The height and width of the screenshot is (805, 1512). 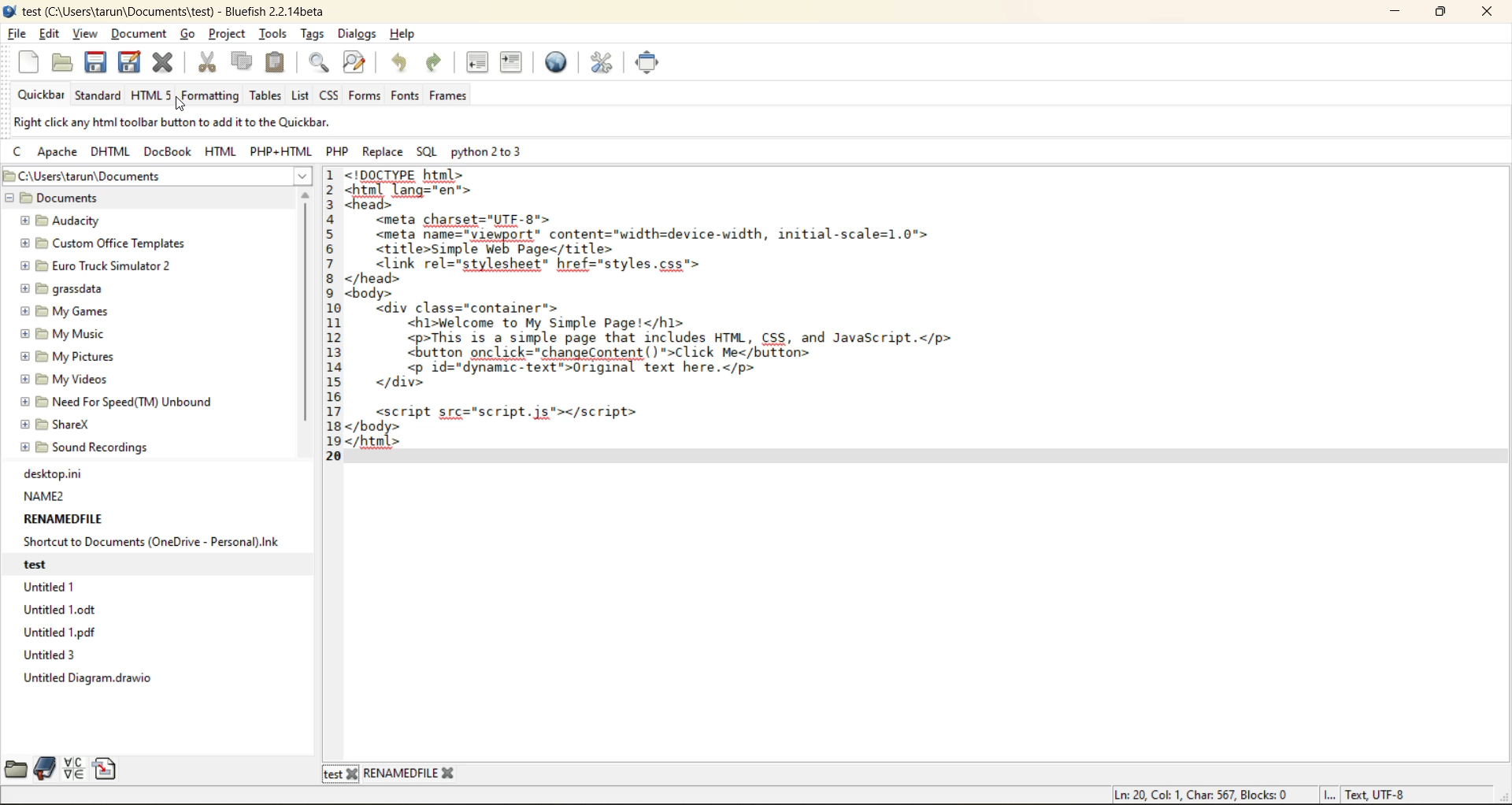 What do you see at coordinates (130, 63) in the screenshot?
I see `save as` at bounding box center [130, 63].